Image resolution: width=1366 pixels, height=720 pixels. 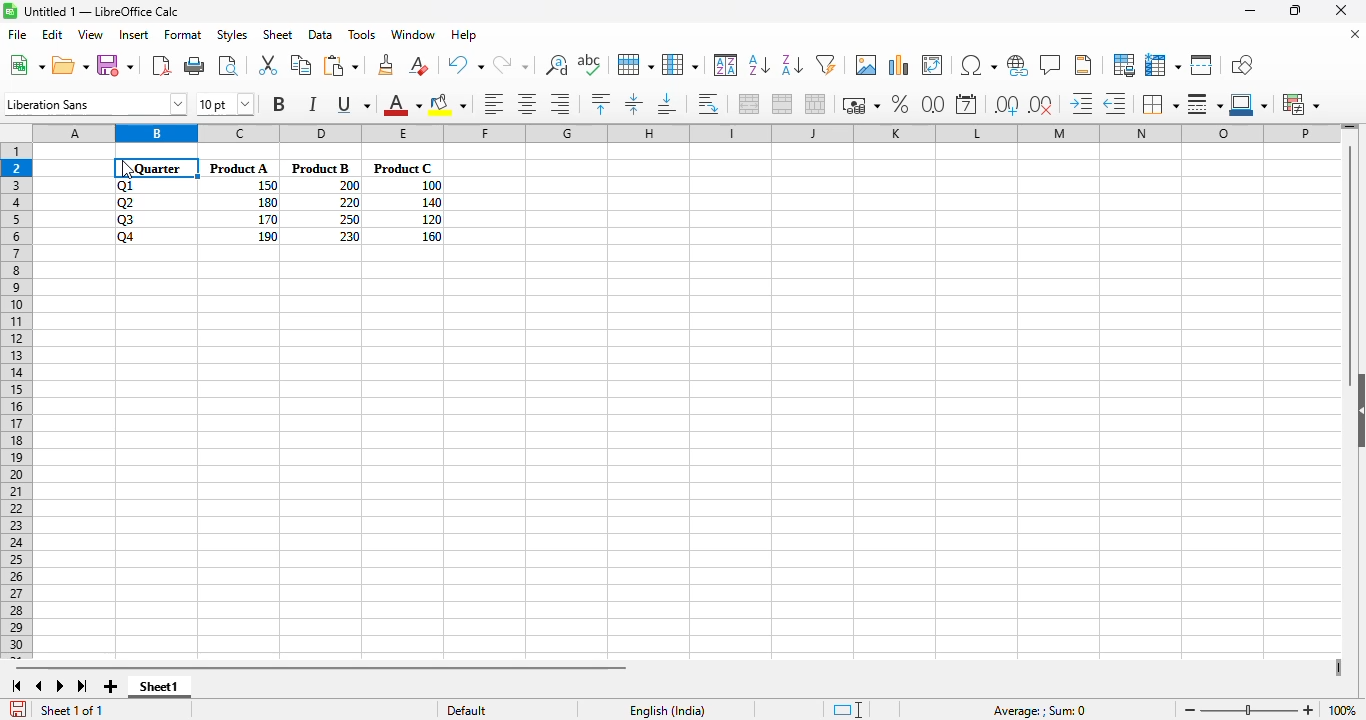 What do you see at coordinates (1251, 12) in the screenshot?
I see `minimize` at bounding box center [1251, 12].